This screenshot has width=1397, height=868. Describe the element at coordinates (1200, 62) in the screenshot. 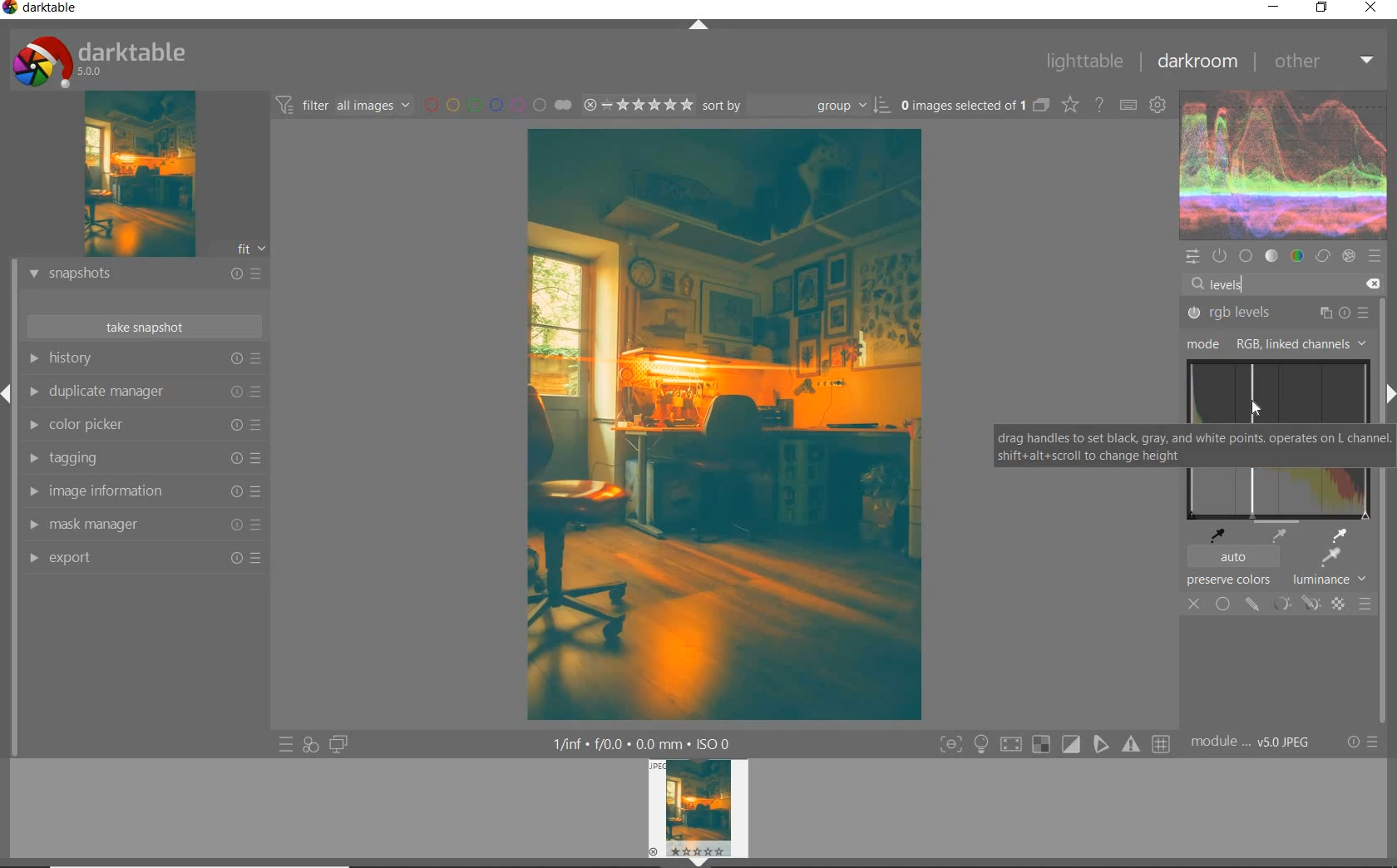

I see `darkroom` at that location.